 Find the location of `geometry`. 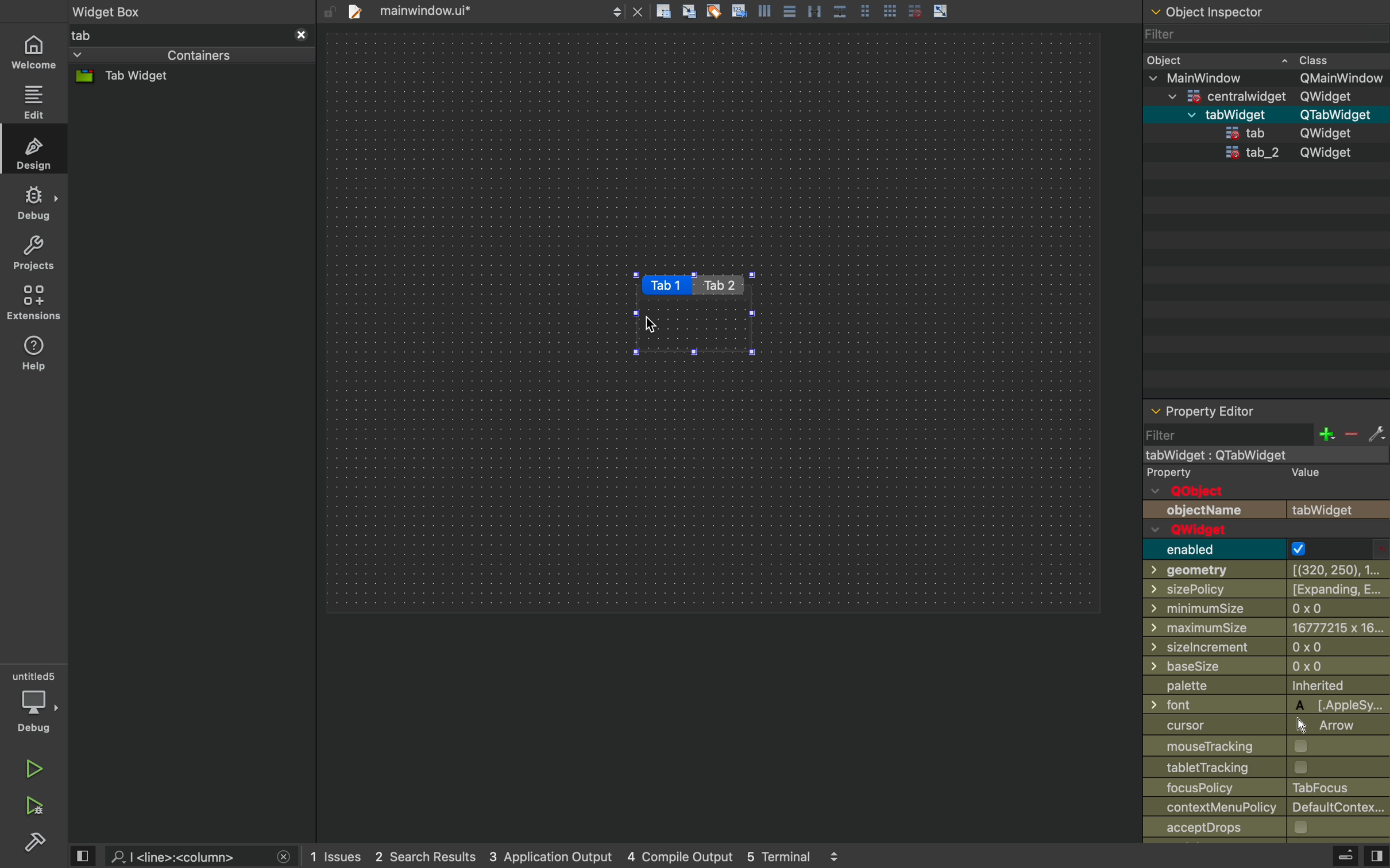

geometry is located at coordinates (1264, 571).